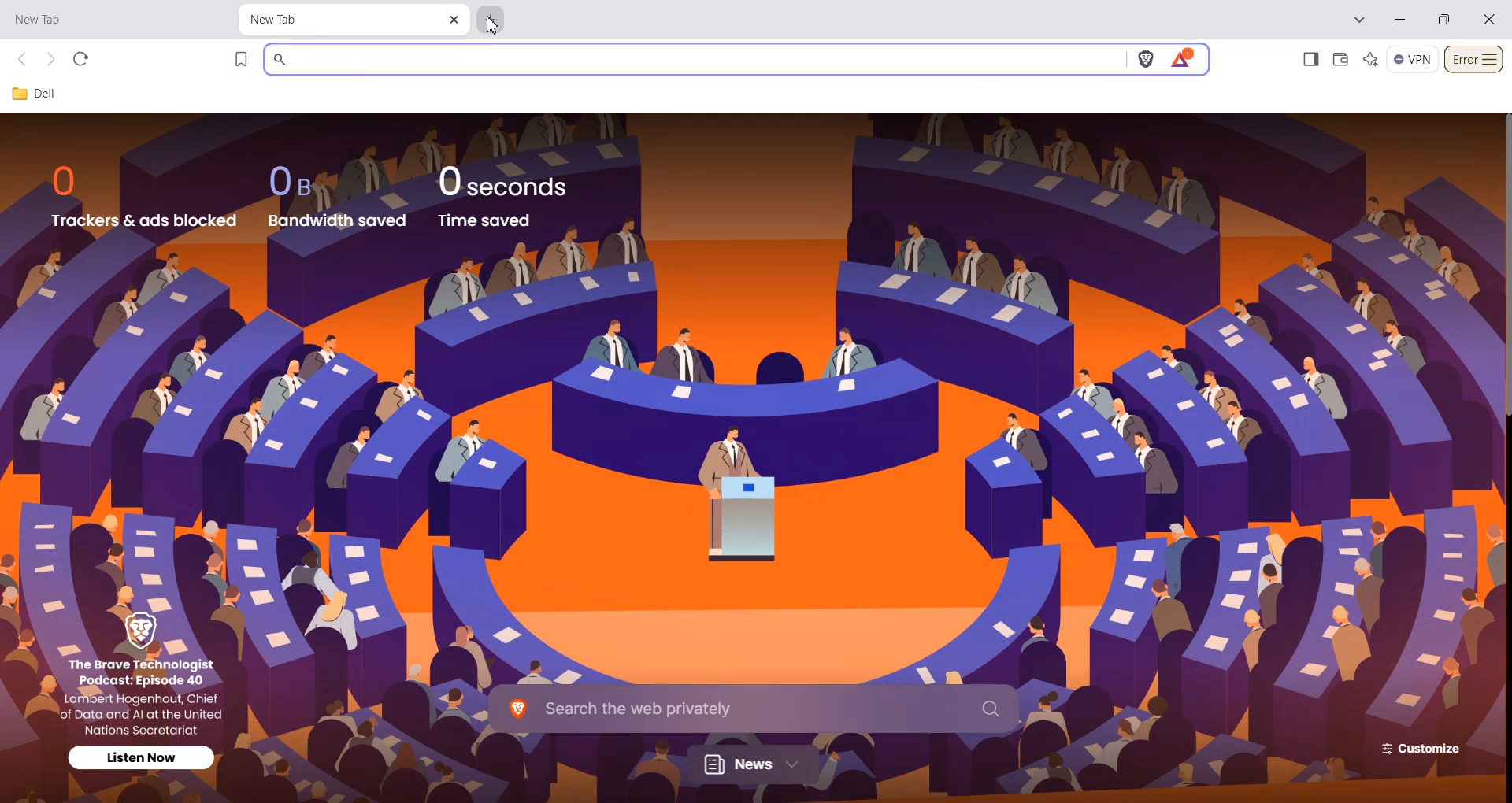  What do you see at coordinates (1503, 262) in the screenshot?
I see `Vertical Scrollbar ` at bounding box center [1503, 262].